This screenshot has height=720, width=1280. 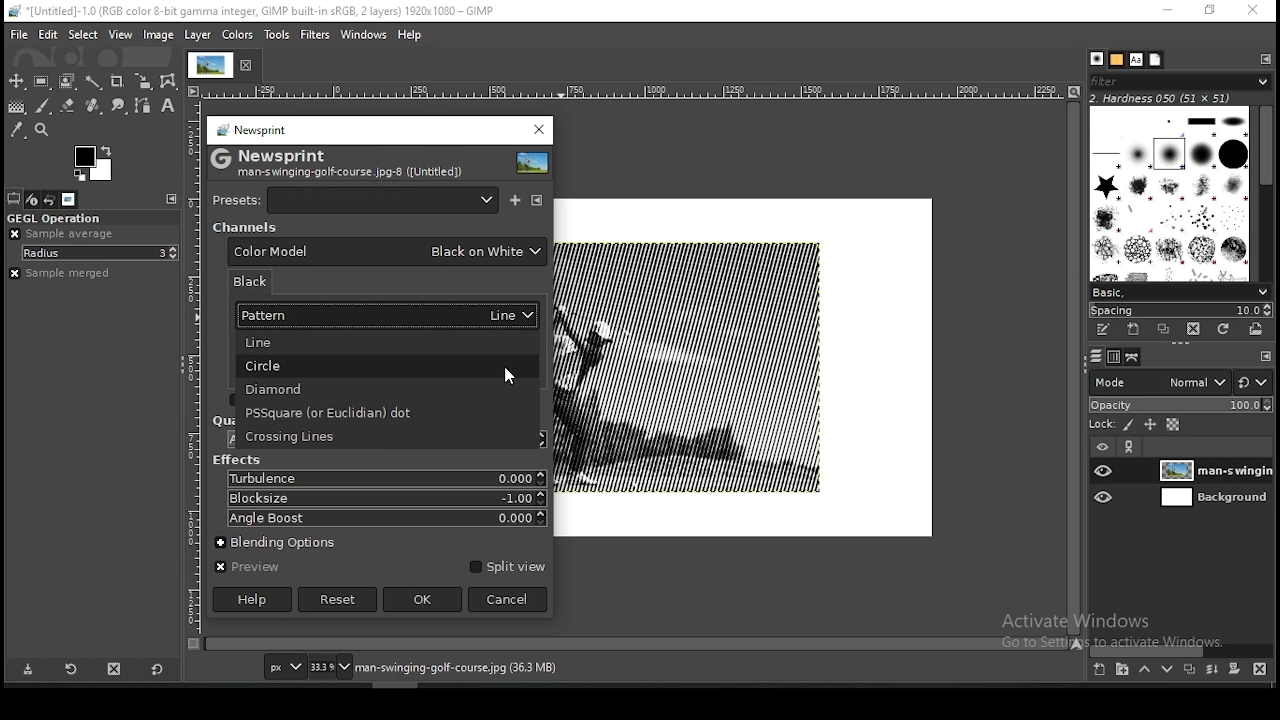 I want to click on ok, so click(x=421, y=599).